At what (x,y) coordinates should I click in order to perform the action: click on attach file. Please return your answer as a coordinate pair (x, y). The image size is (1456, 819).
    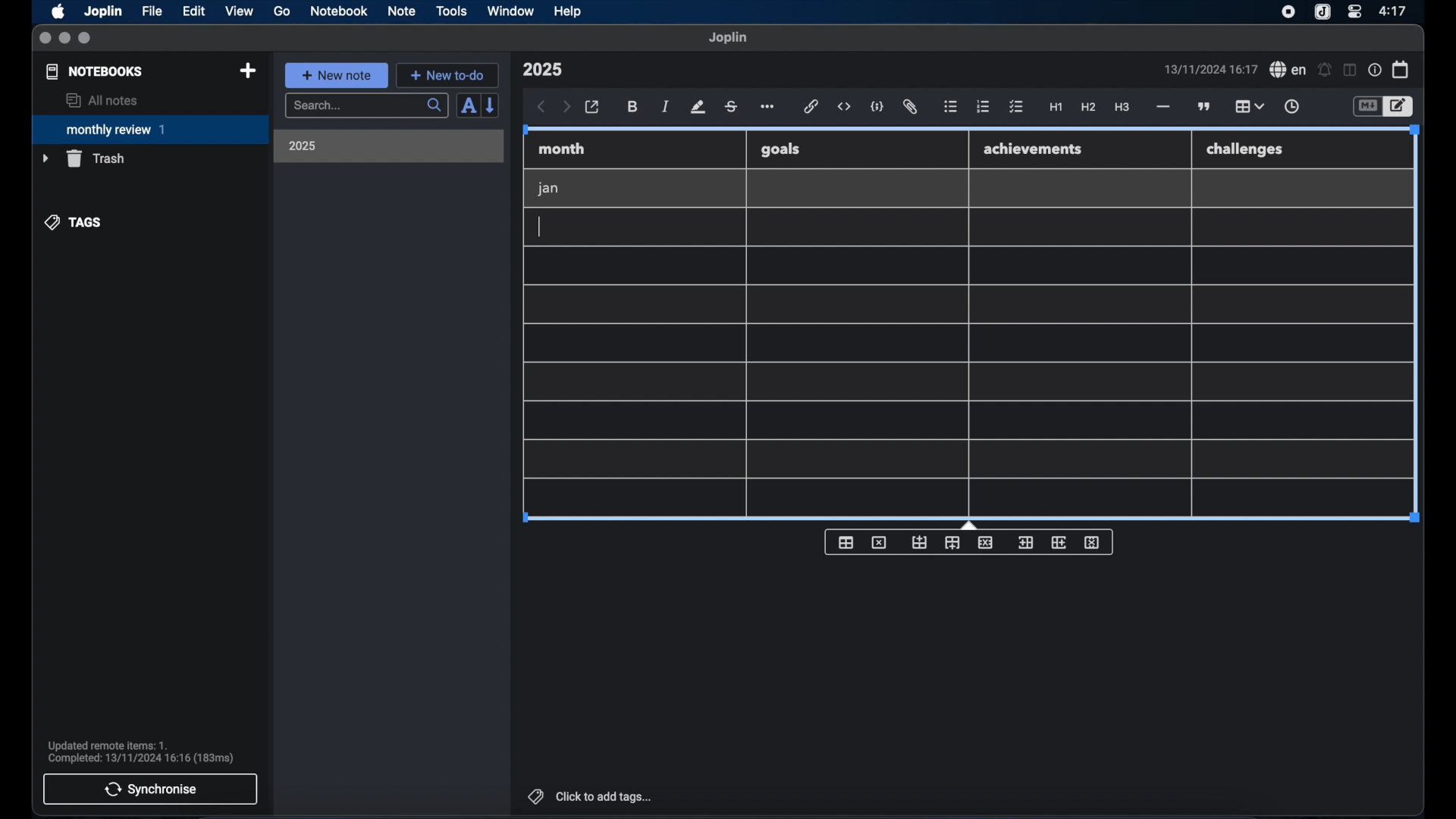
    Looking at the image, I should click on (910, 107).